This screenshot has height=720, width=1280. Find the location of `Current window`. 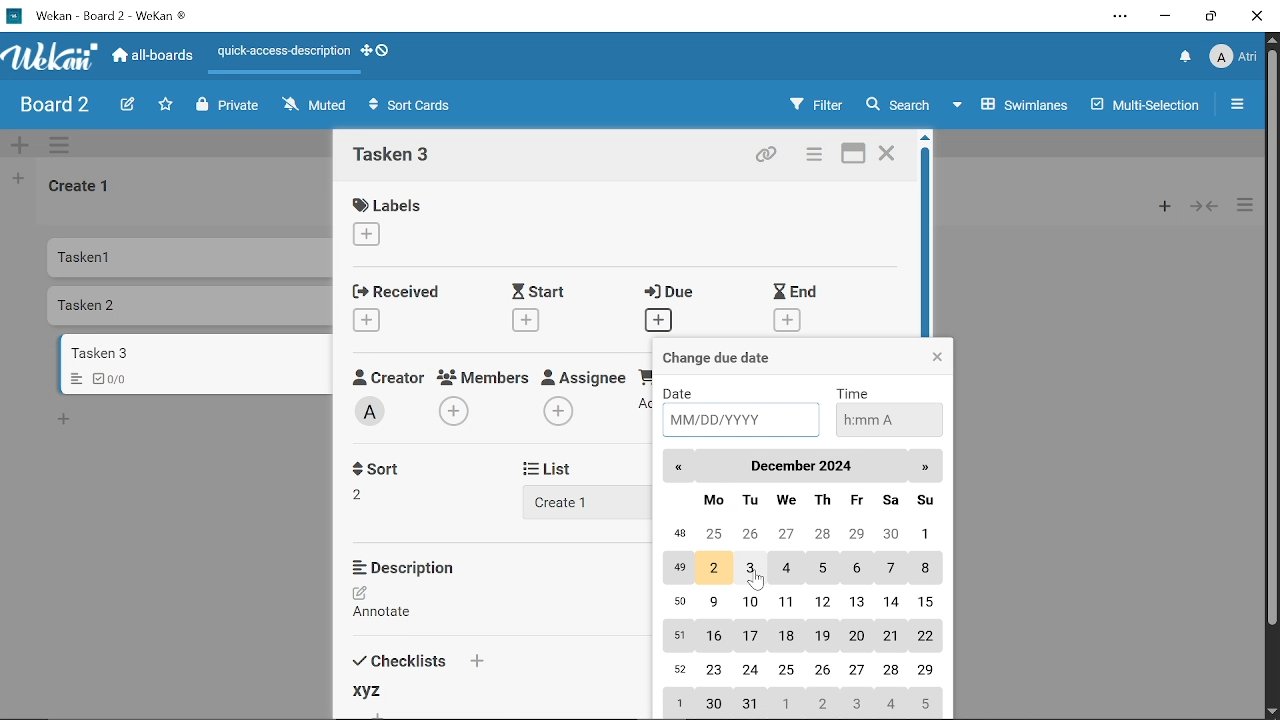

Current window is located at coordinates (102, 15).